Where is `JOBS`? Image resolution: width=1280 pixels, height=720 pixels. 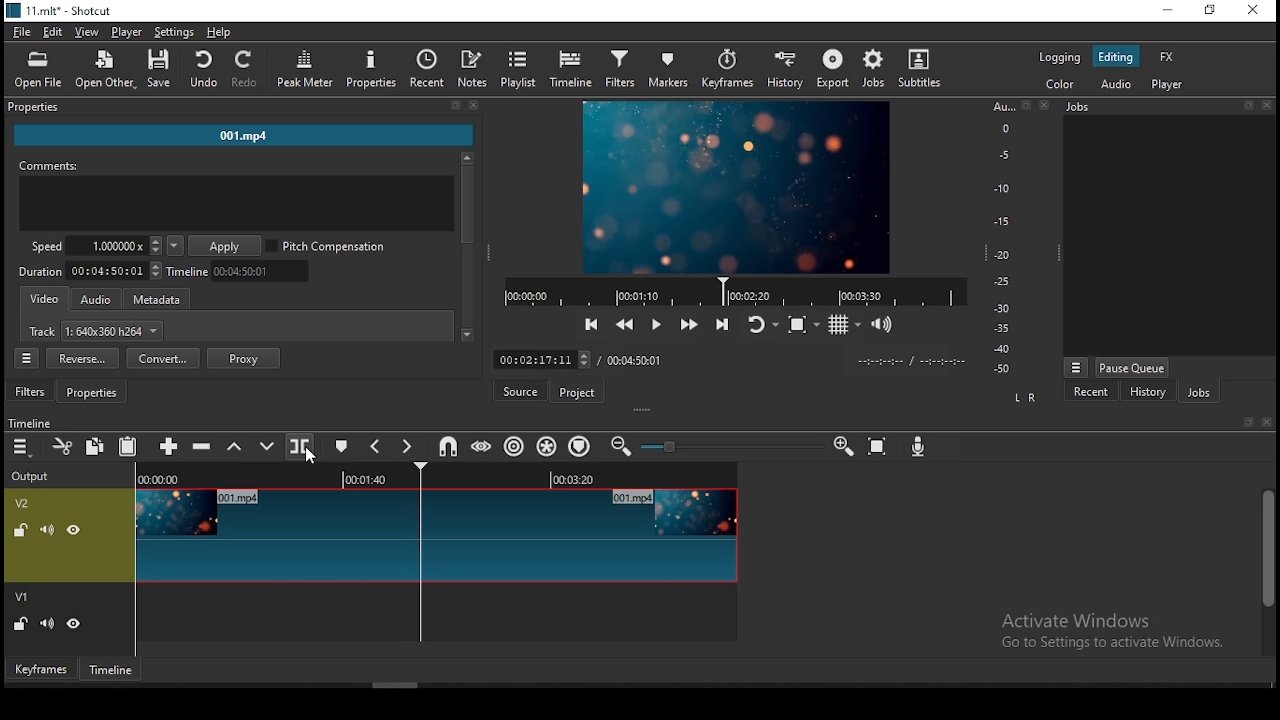
JOBS is located at coordinates (1166, 107).